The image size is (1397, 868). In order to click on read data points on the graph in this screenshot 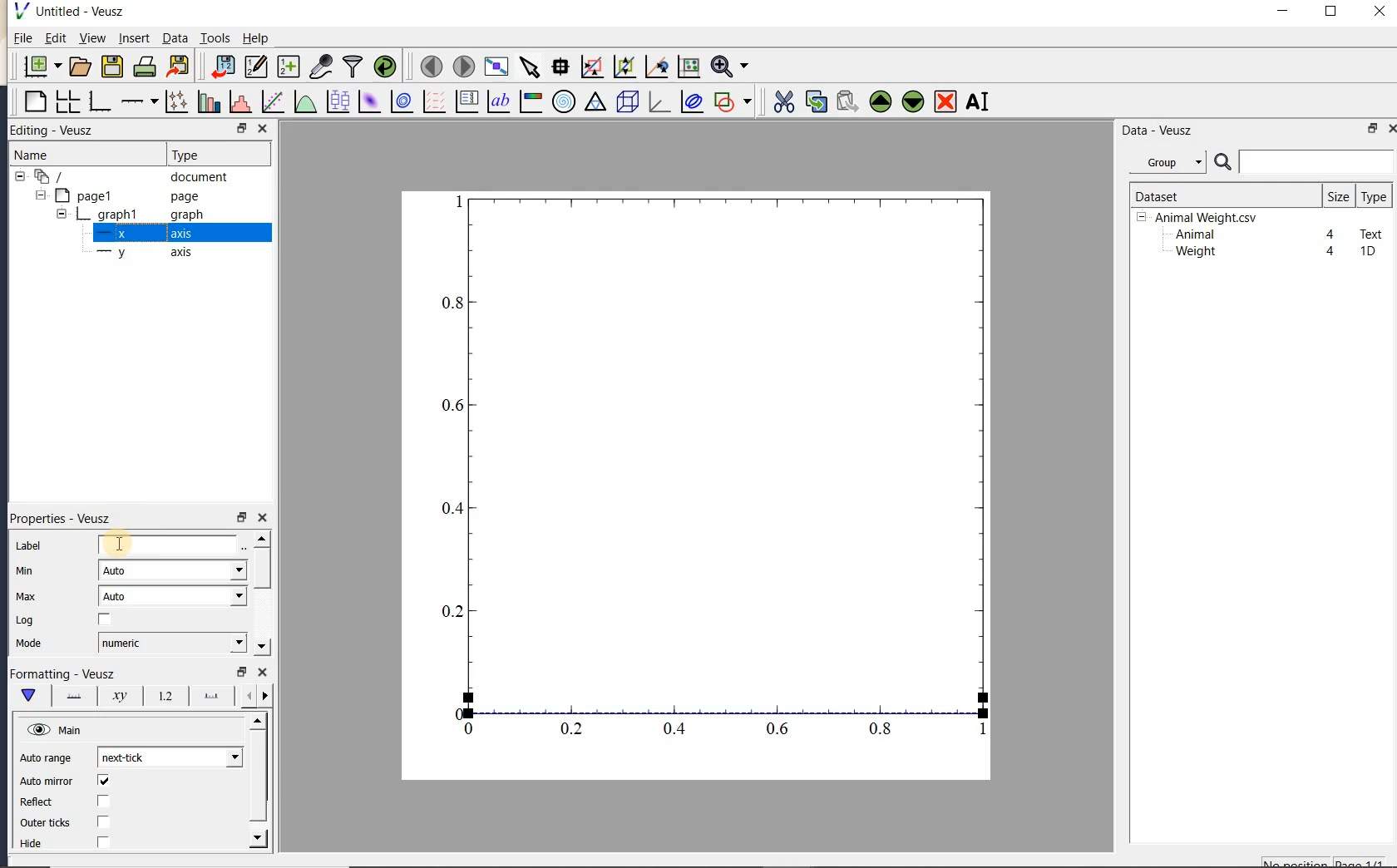, I will do `click(560, 67)`.